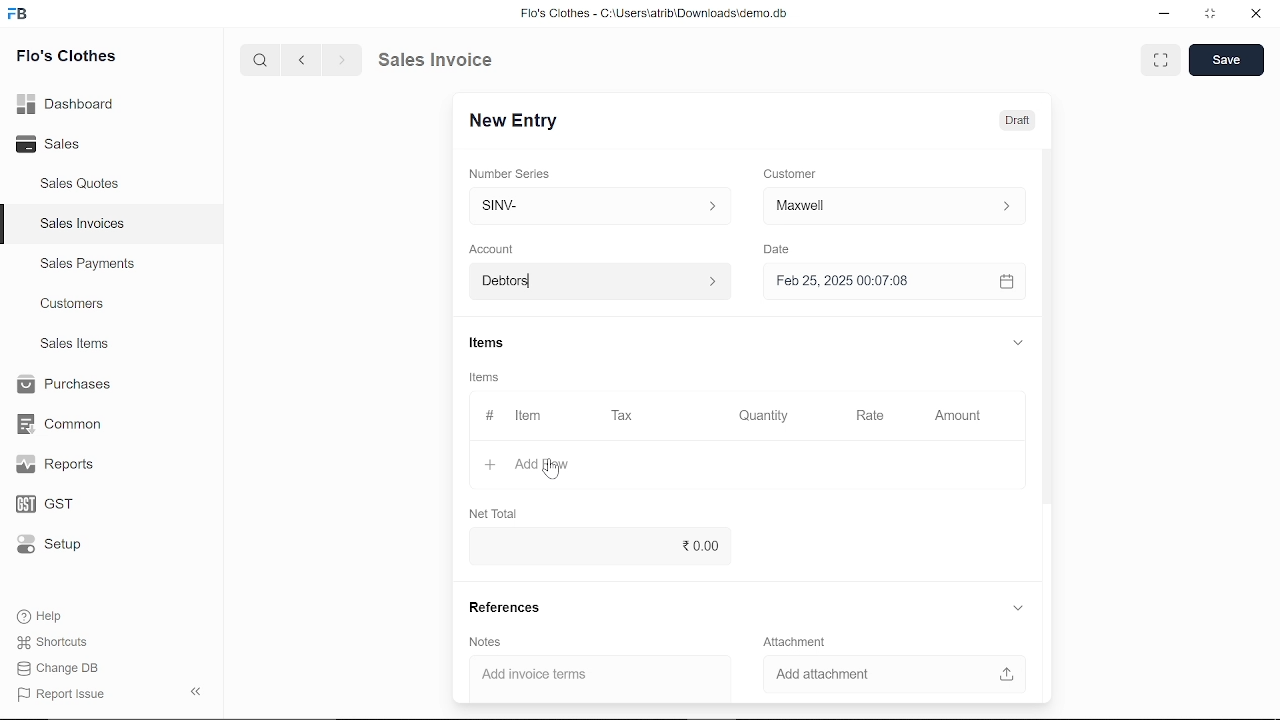 This screenshot has height=720, width=1280. What do you see at coordinates (74, 303) in the screenshot?
I see `Customers` at bounding box center [74, 303].